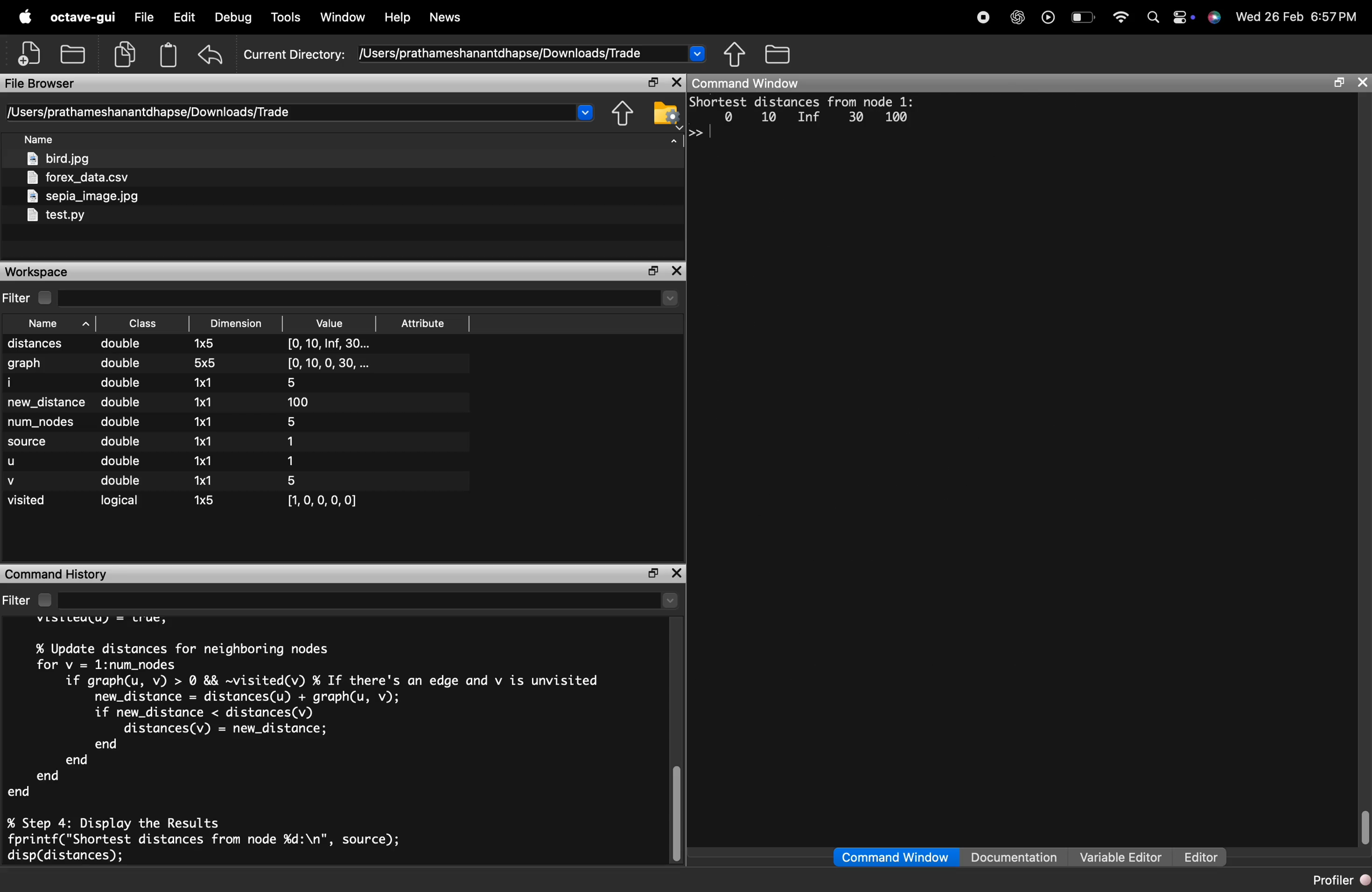  I want to click on command window, so click(745, 84).